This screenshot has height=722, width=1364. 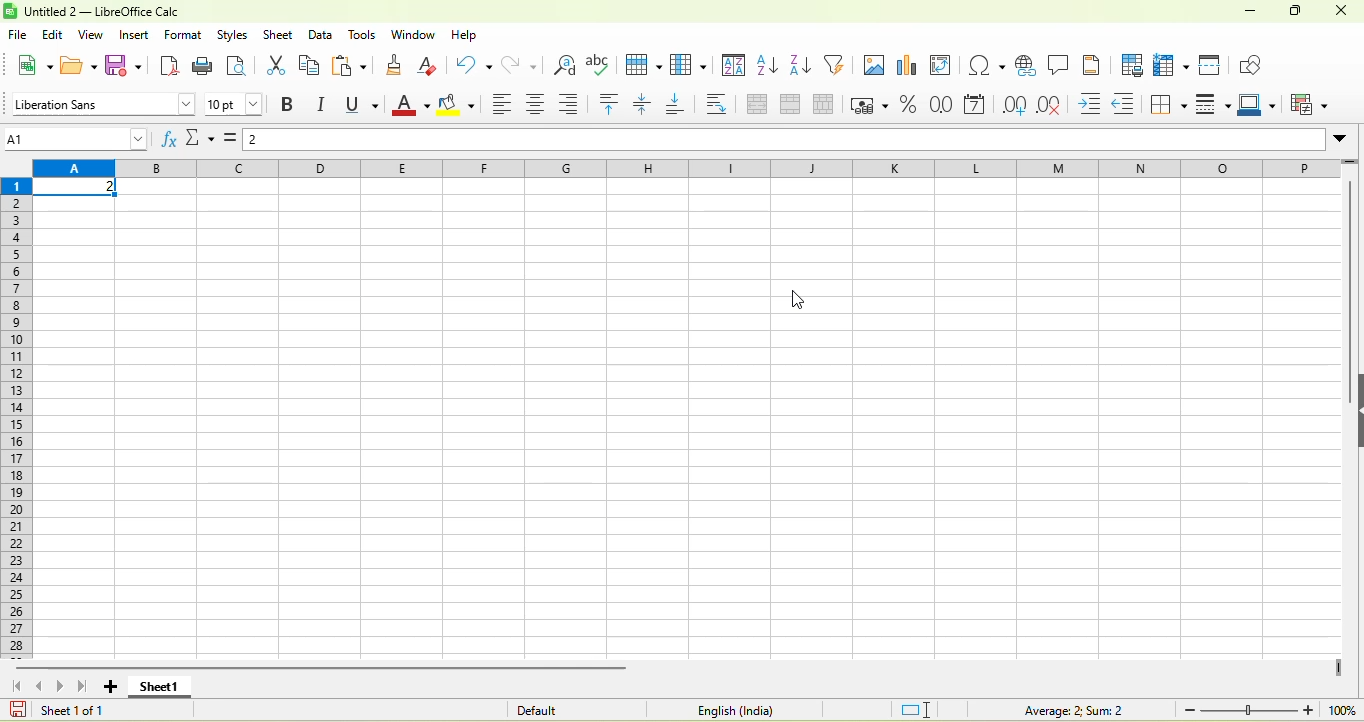 I want to click on name box, so click(x=78, y=138).